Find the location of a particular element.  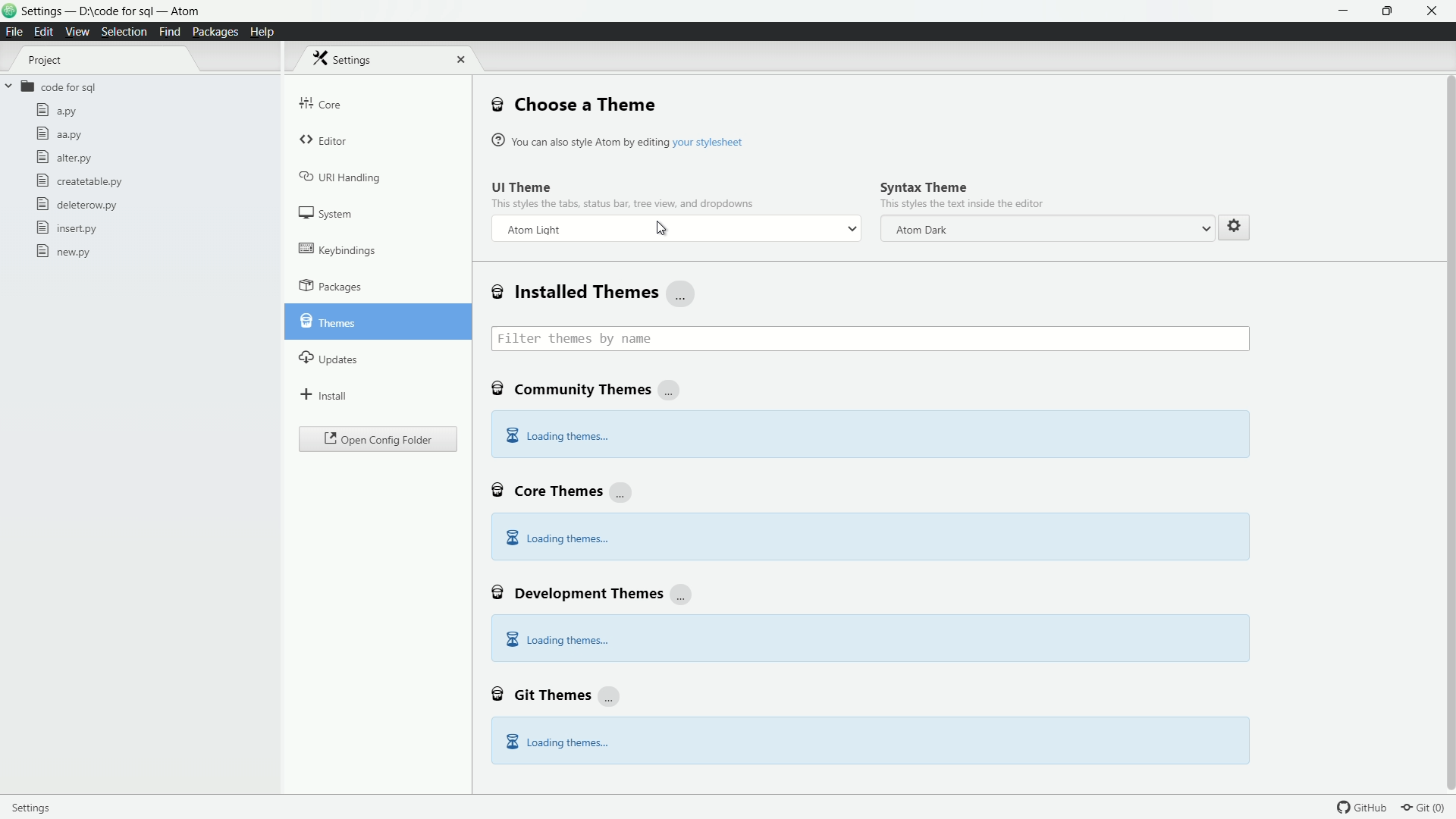

atom light is located at coordinates (534, 231).